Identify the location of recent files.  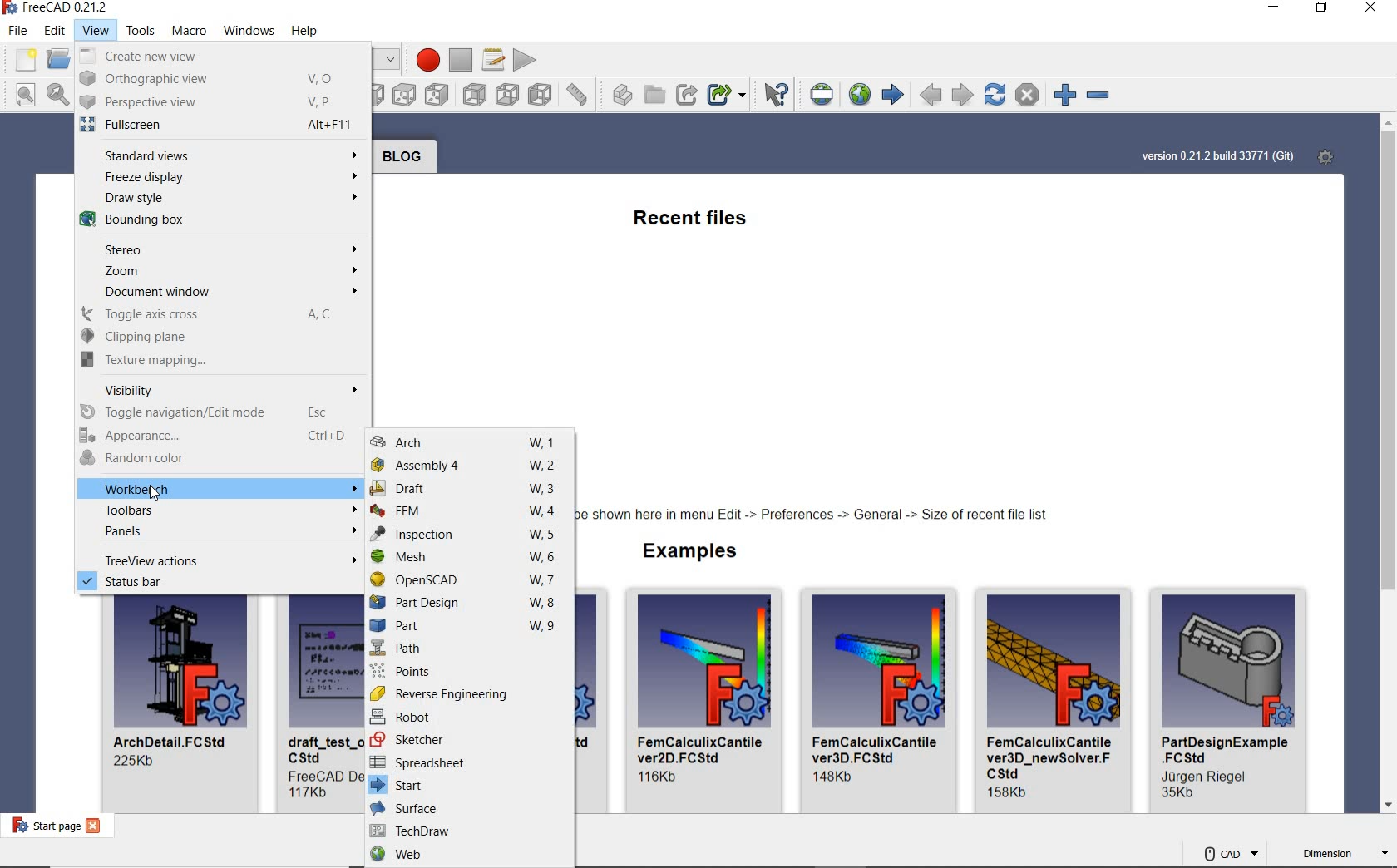
(695, 222).